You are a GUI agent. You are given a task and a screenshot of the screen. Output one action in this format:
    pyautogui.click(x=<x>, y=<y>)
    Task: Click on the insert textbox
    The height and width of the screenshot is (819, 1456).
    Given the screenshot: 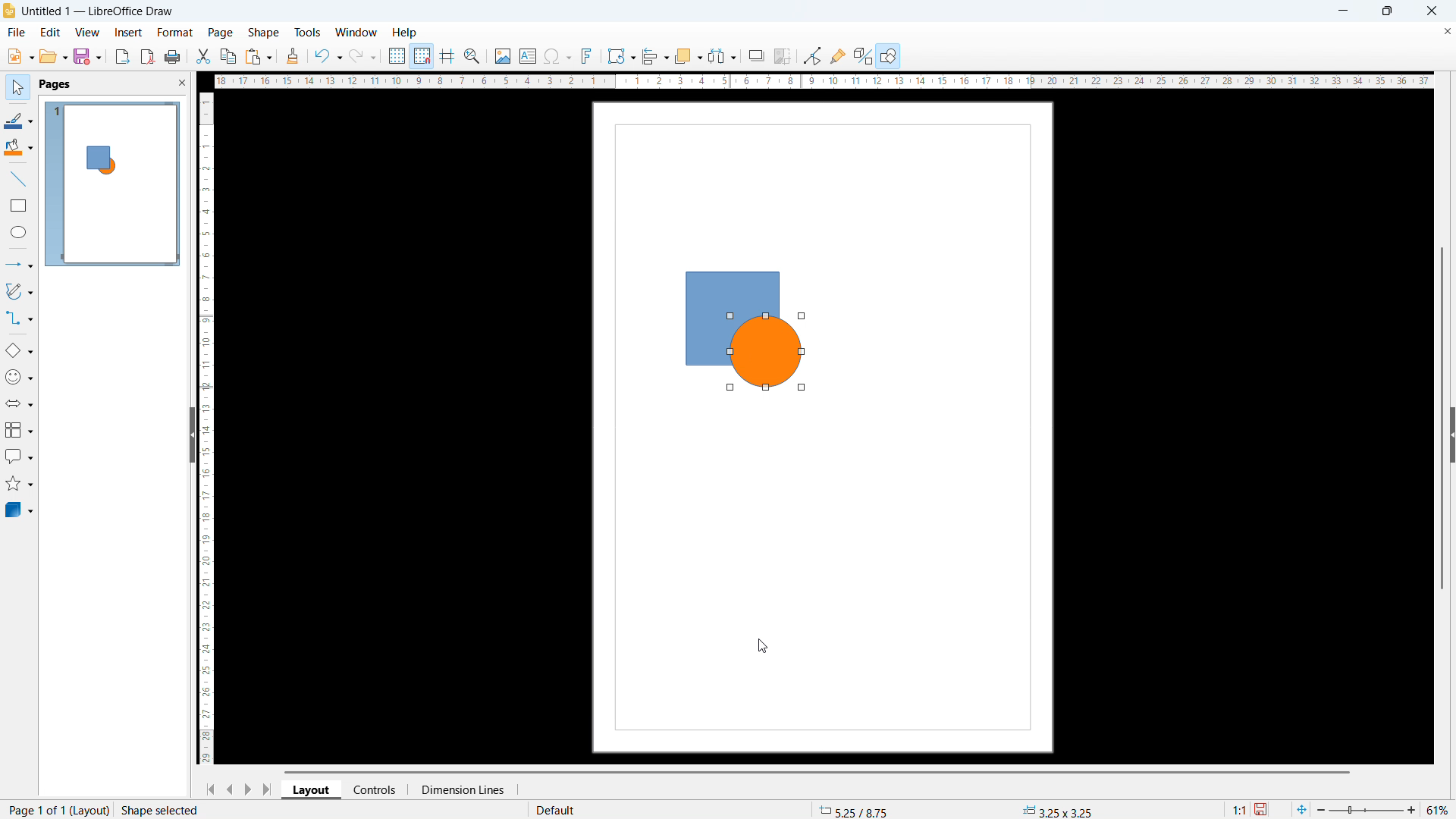 What is the action you would take?
    pyautogui.click(x=528, y=55)
    